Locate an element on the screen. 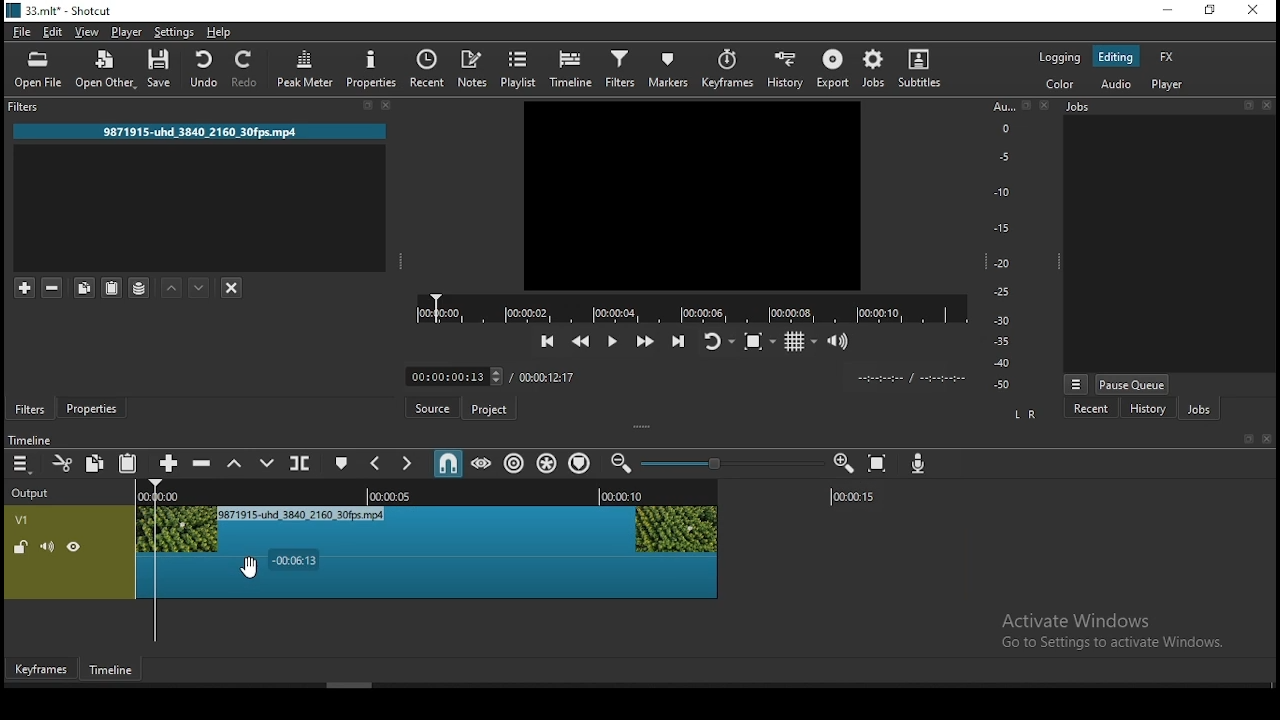 This screenshot has height=720, width=1280. previous marker is located at coordinates (379, 461).